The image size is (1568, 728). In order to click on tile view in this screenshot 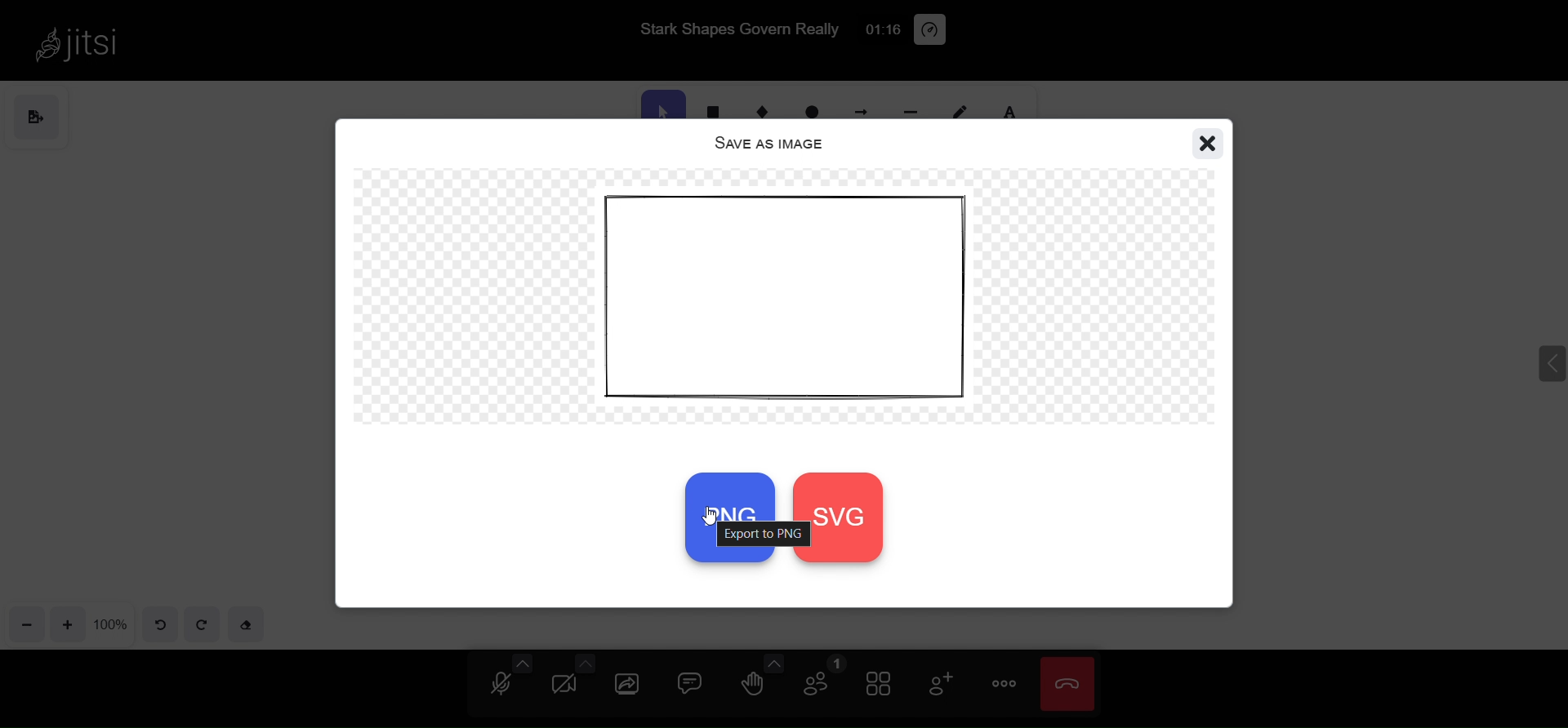, I will do `click(879, 686)`.